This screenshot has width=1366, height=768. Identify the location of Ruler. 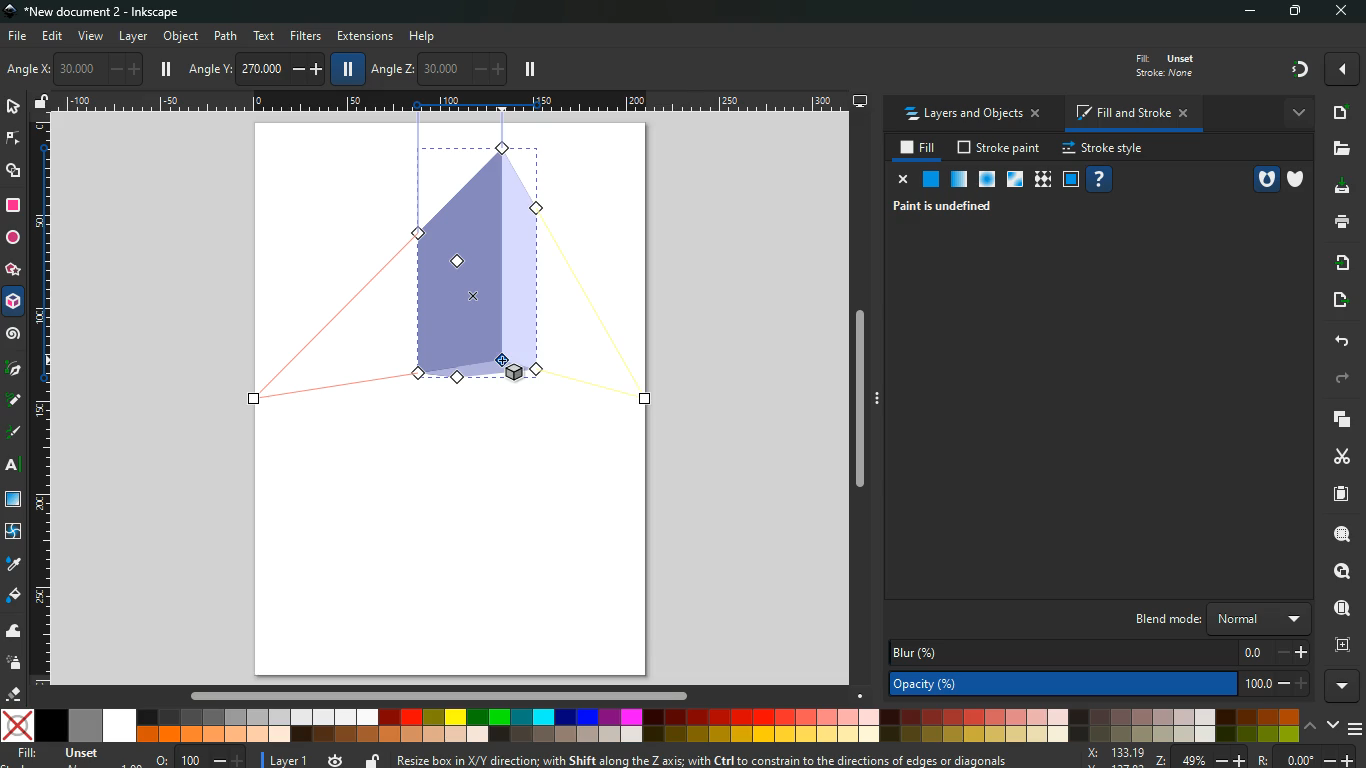
(39, 400).